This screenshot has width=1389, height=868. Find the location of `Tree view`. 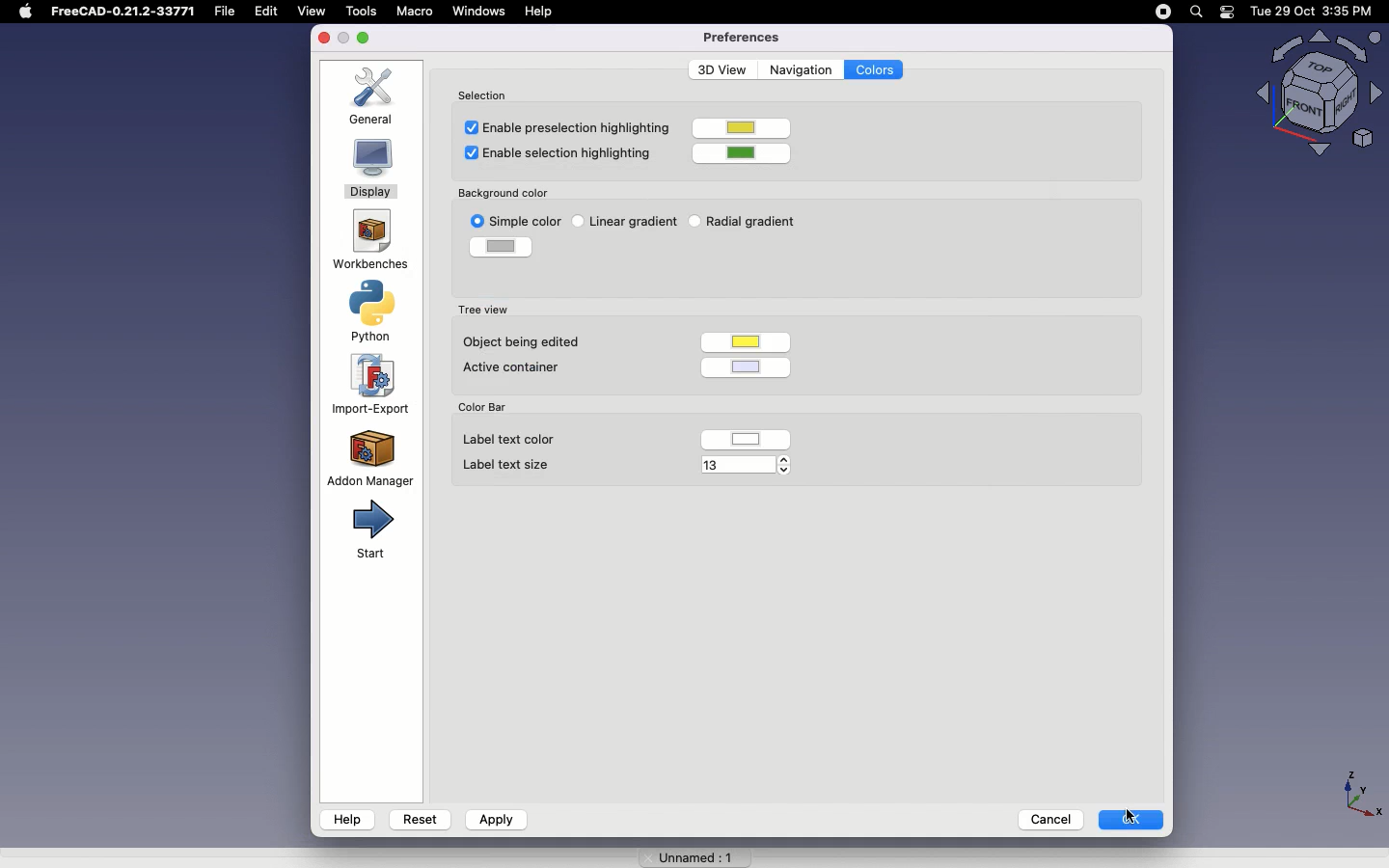

Tree view is located at coordinates (481, 309).